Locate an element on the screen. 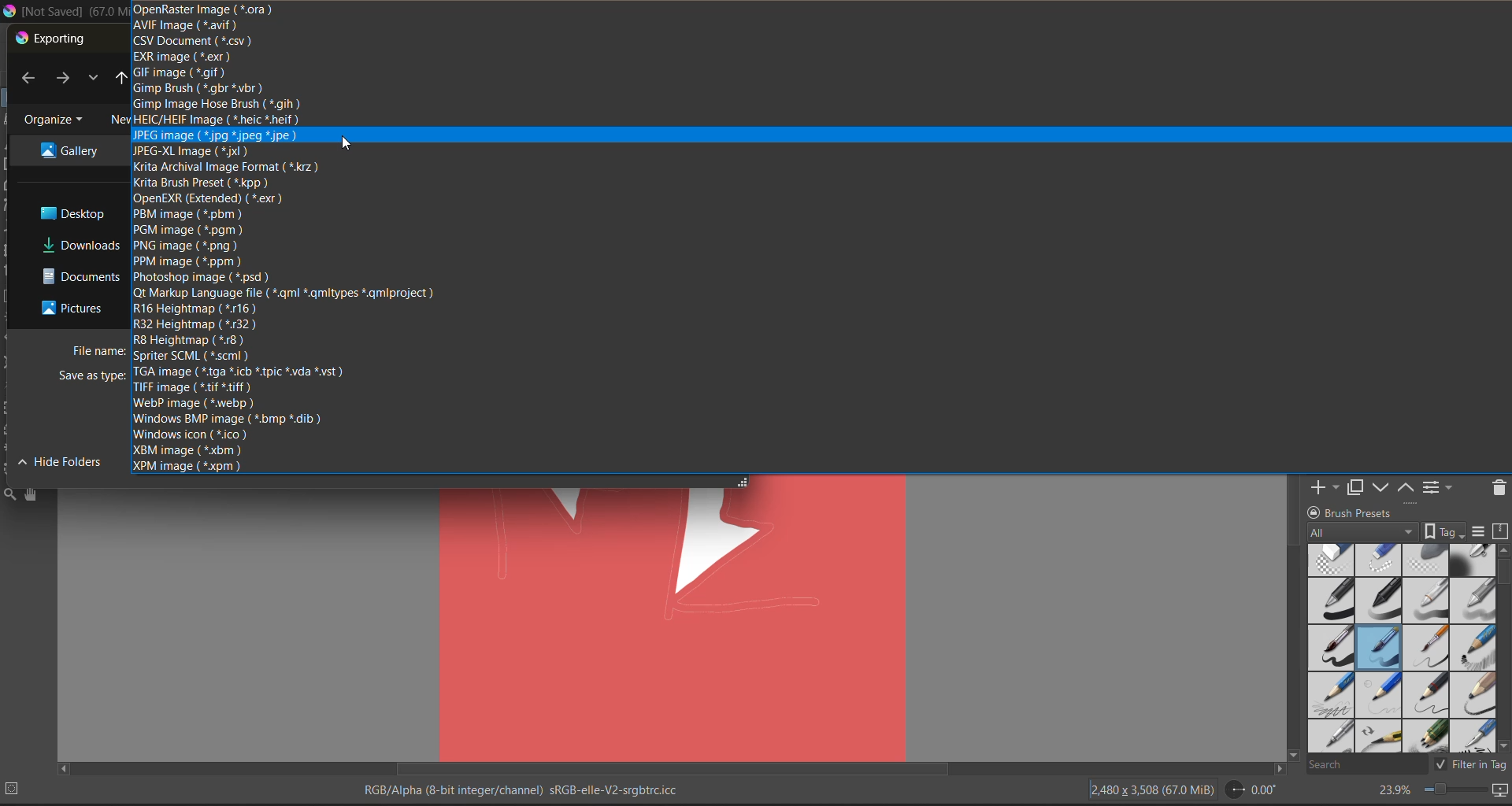  xbm is located at coordinates (198, 451).